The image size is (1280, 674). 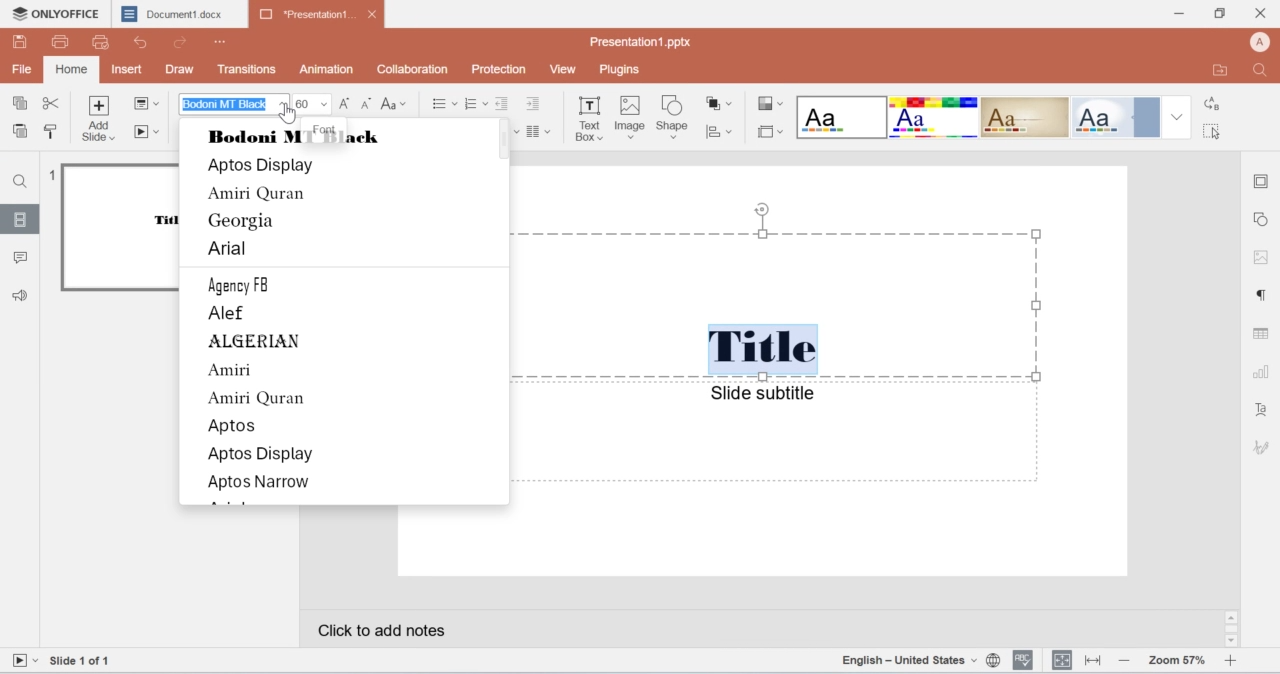 I want to click on preview, so click(x=102, y=44).